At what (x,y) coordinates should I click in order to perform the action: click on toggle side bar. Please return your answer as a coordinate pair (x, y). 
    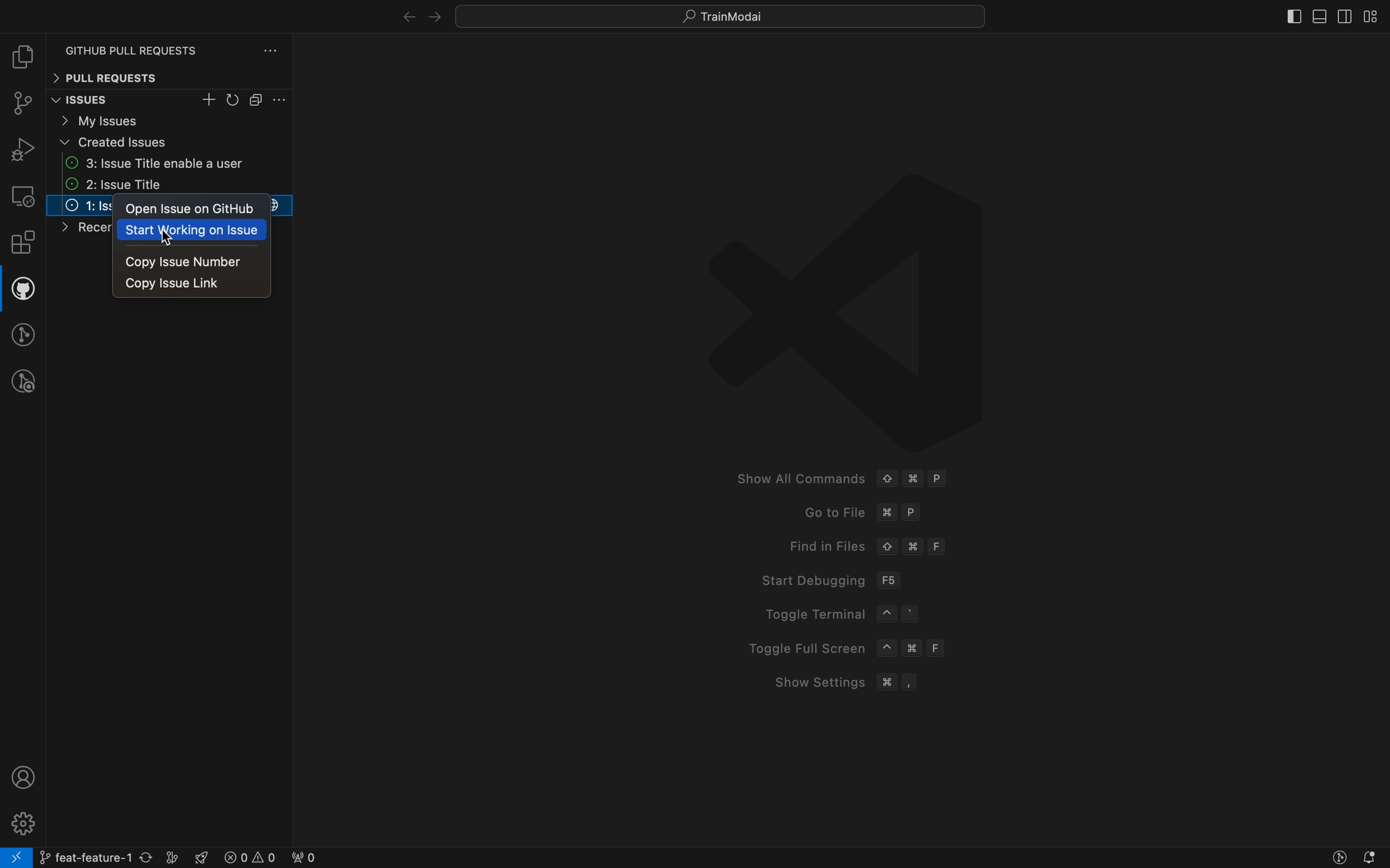
    Looking at the image, I should click on (1278, 14).